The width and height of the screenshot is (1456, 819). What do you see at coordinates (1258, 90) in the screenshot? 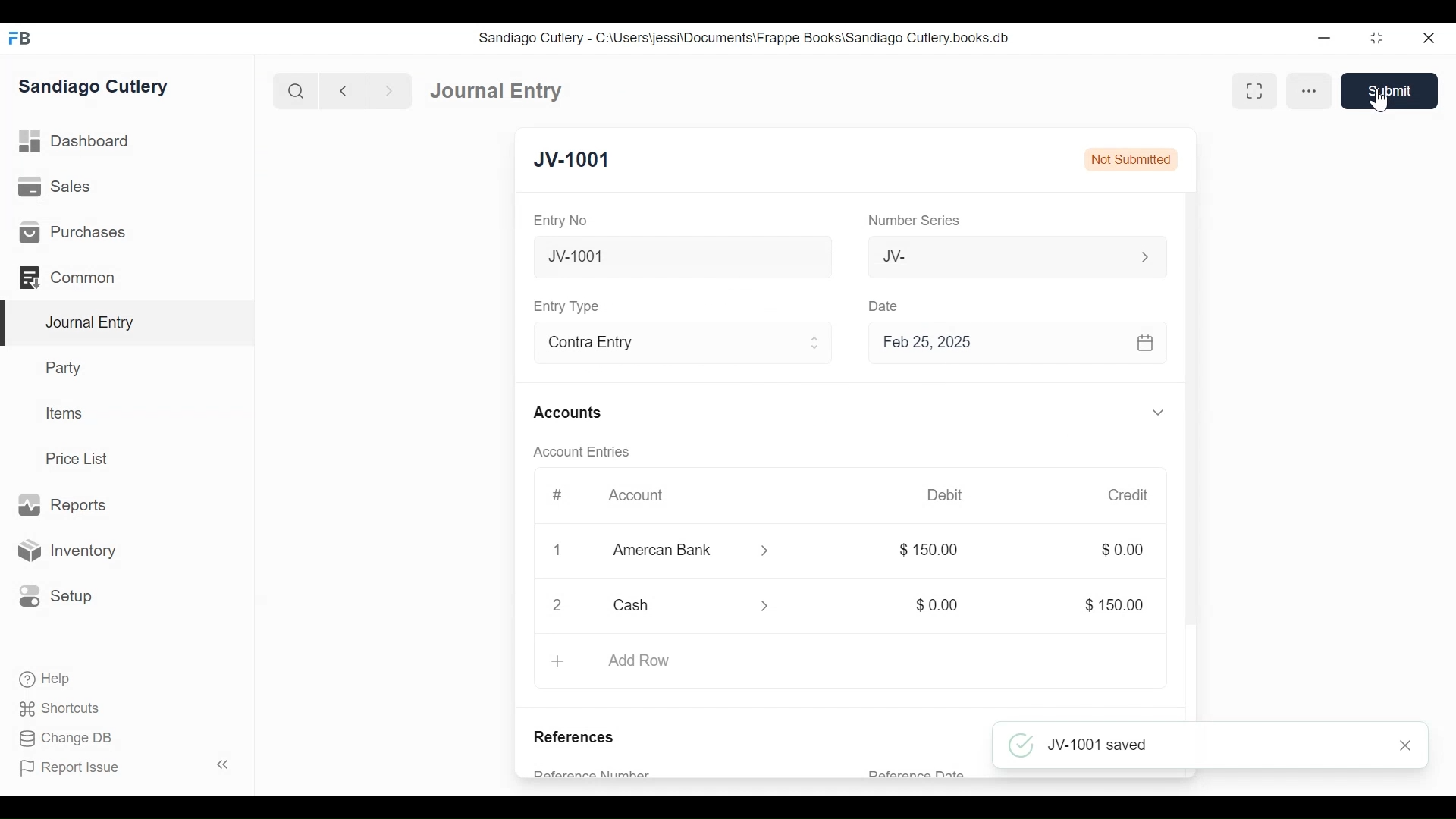
I see `Toggle between form and full width` at bounding box center [1258, 90].